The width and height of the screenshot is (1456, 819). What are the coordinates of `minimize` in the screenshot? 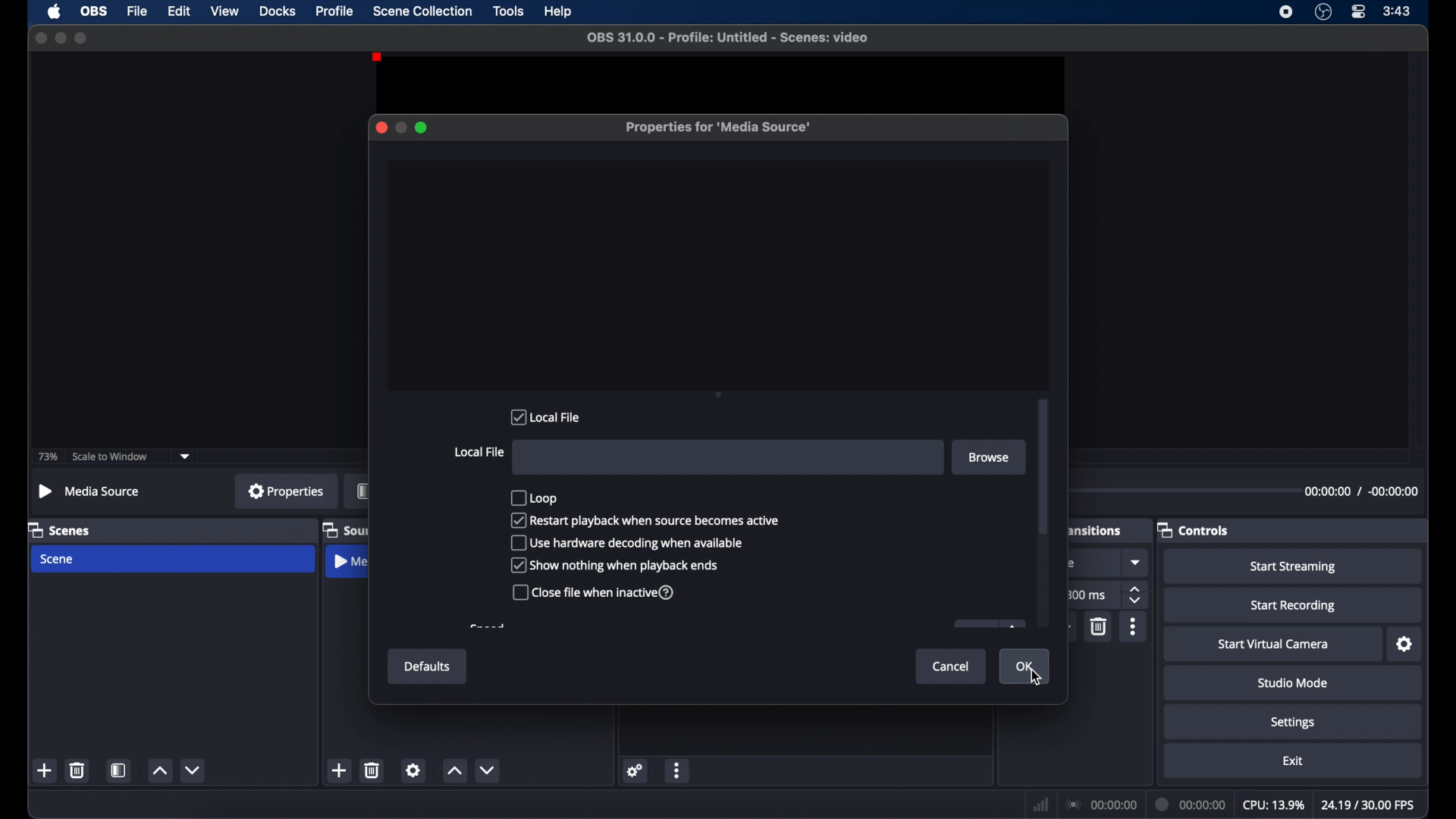 It's located at (60, 37).